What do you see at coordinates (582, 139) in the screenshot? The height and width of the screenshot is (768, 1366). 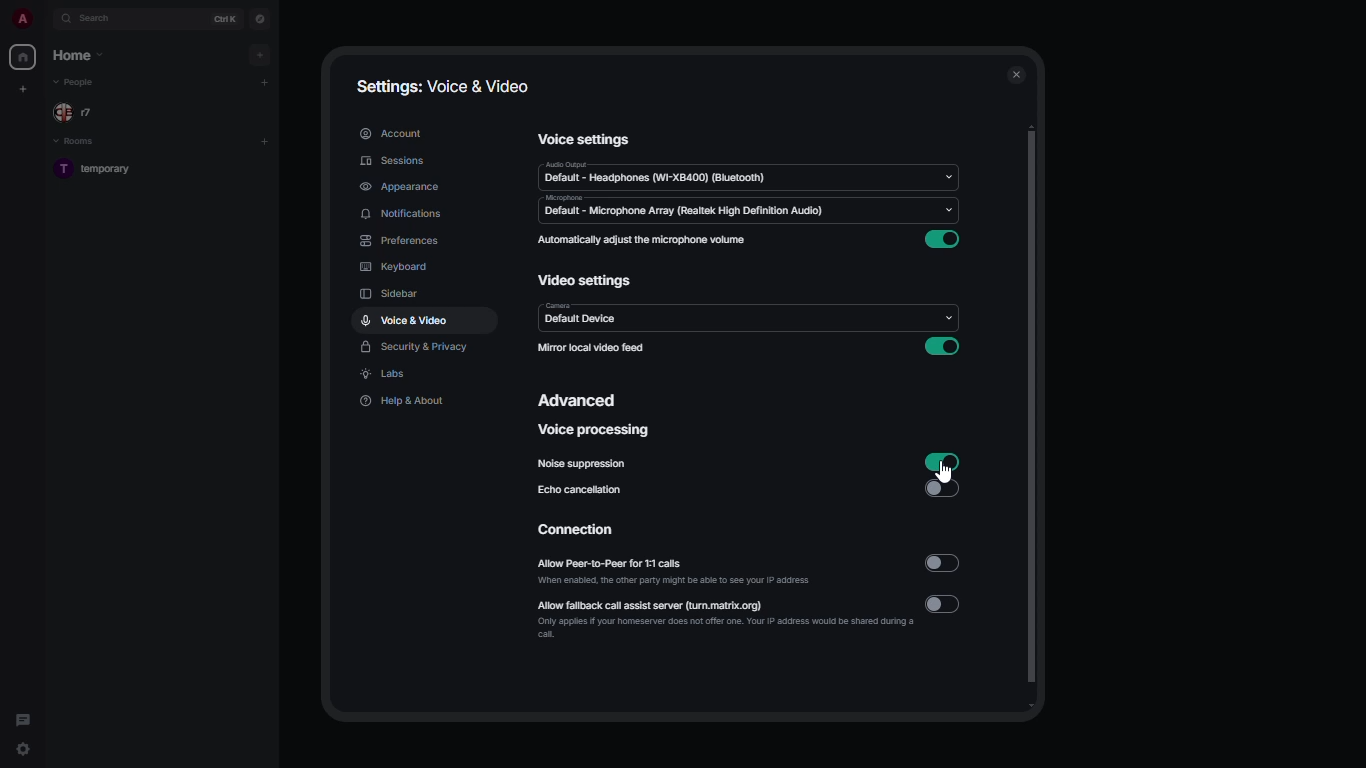 I see `voice settings` at bounding box center [582, 139].